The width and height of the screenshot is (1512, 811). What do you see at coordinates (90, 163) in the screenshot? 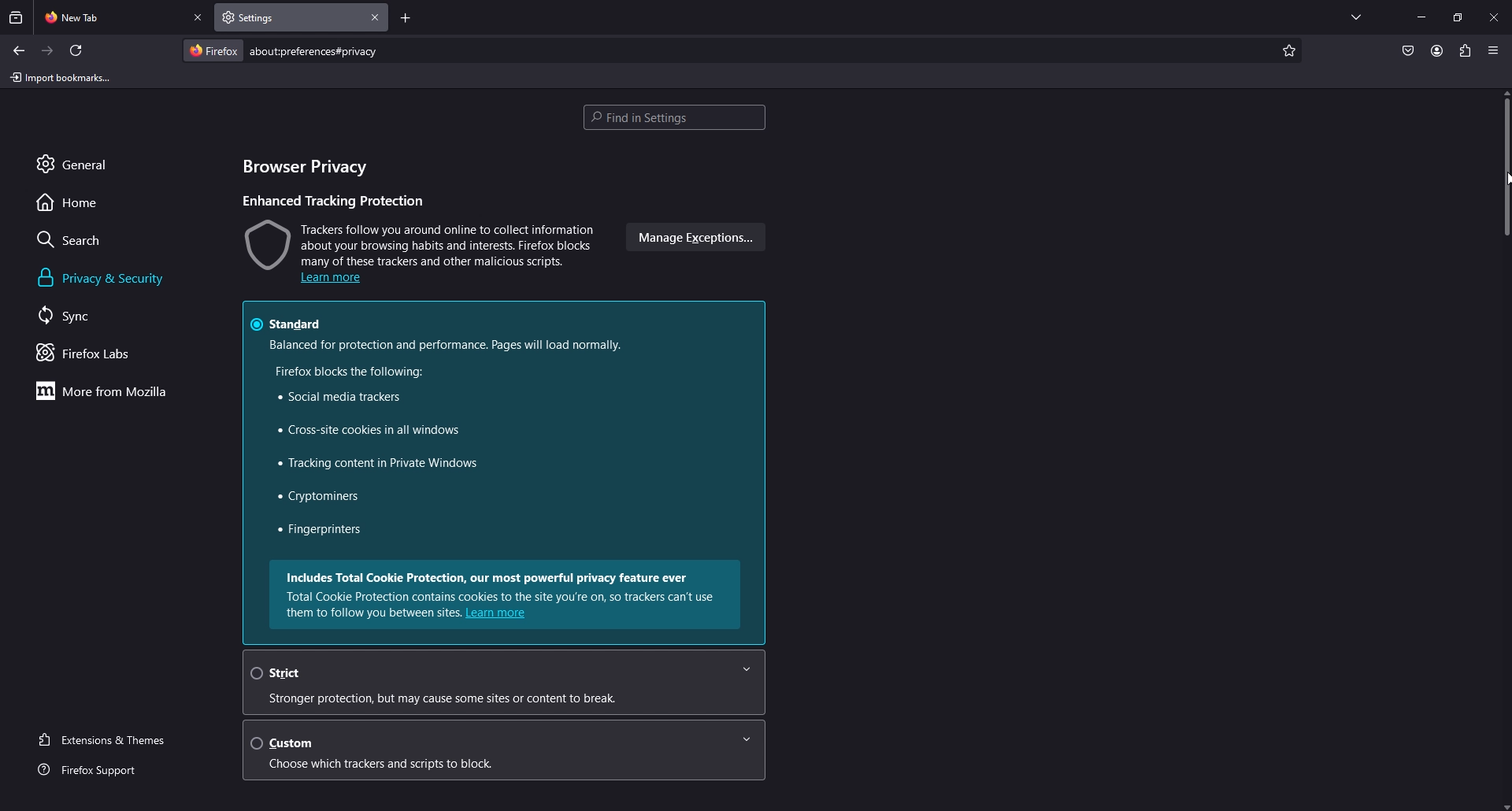
I see `general` at bounding box center [90, 163].